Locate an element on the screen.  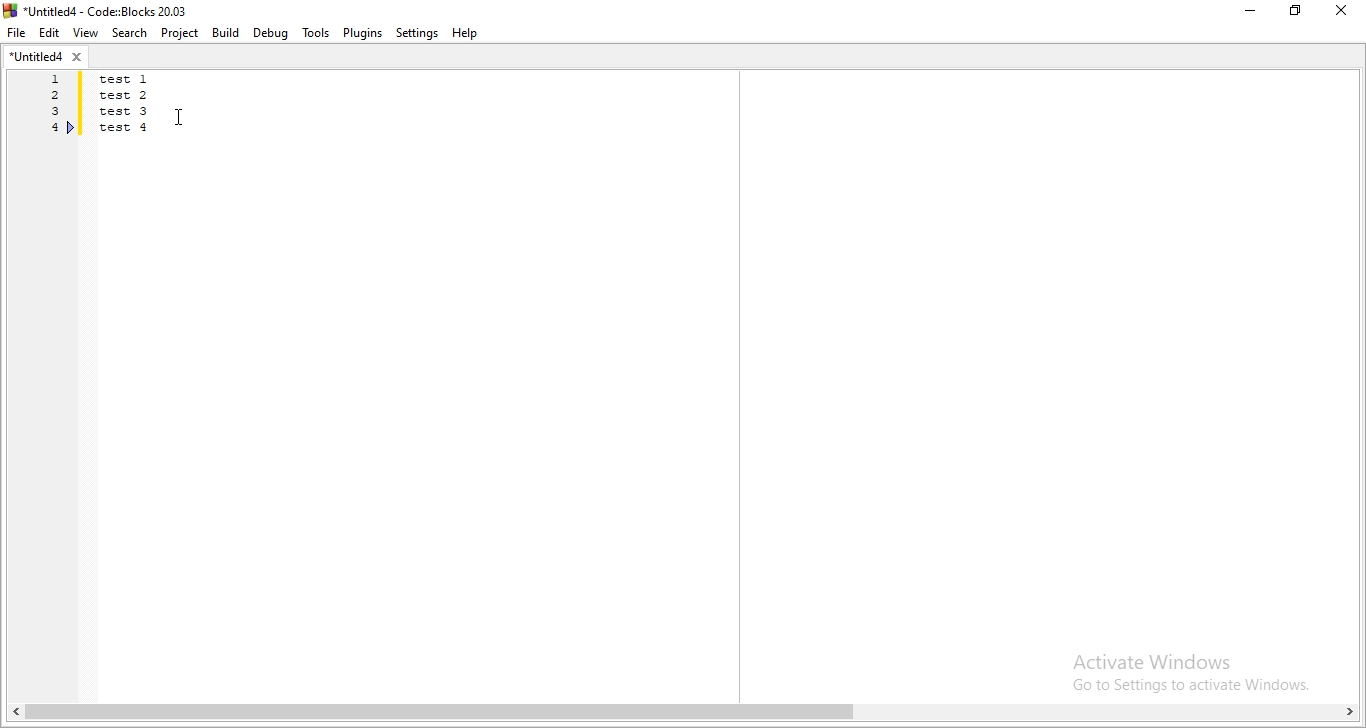
 test 3 is located at coordinates (127, 113).